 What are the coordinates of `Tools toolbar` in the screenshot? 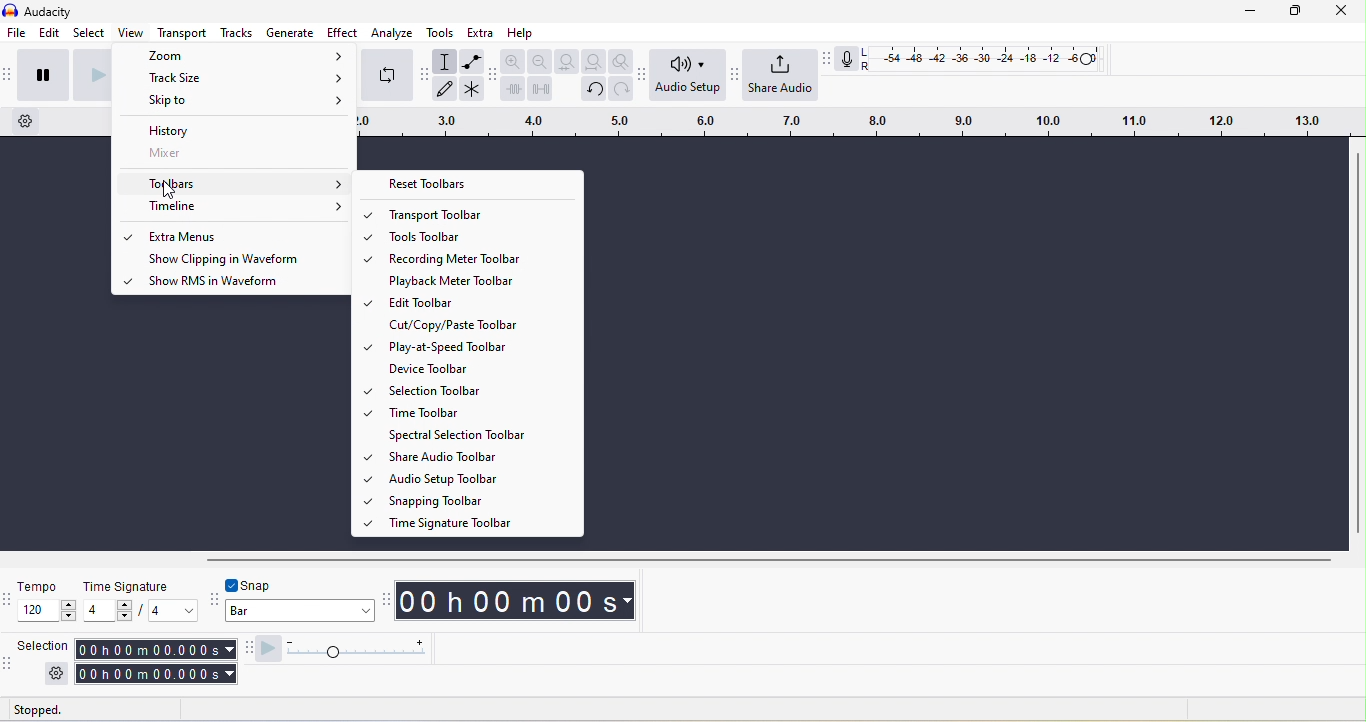 It's located at (479, 235).